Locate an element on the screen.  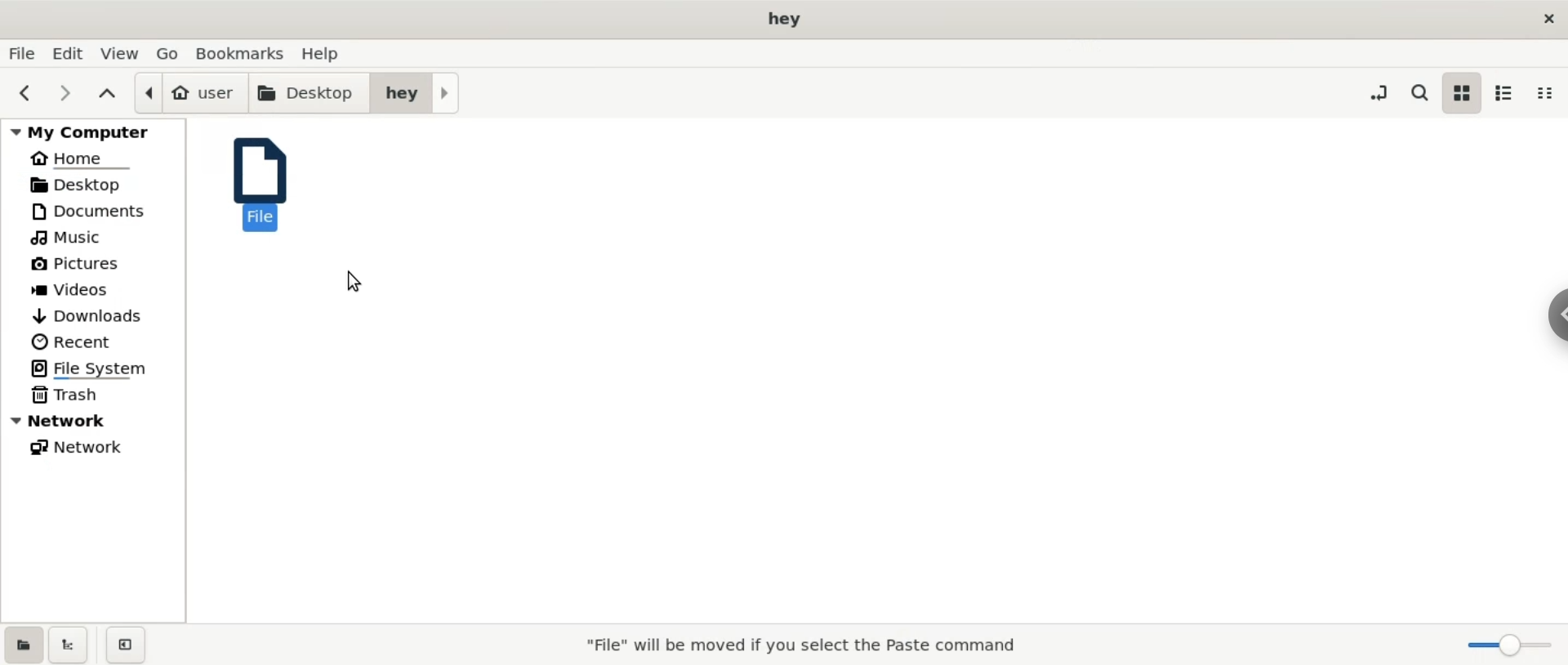
toggle location entry is located at coordinates (1379, 95).